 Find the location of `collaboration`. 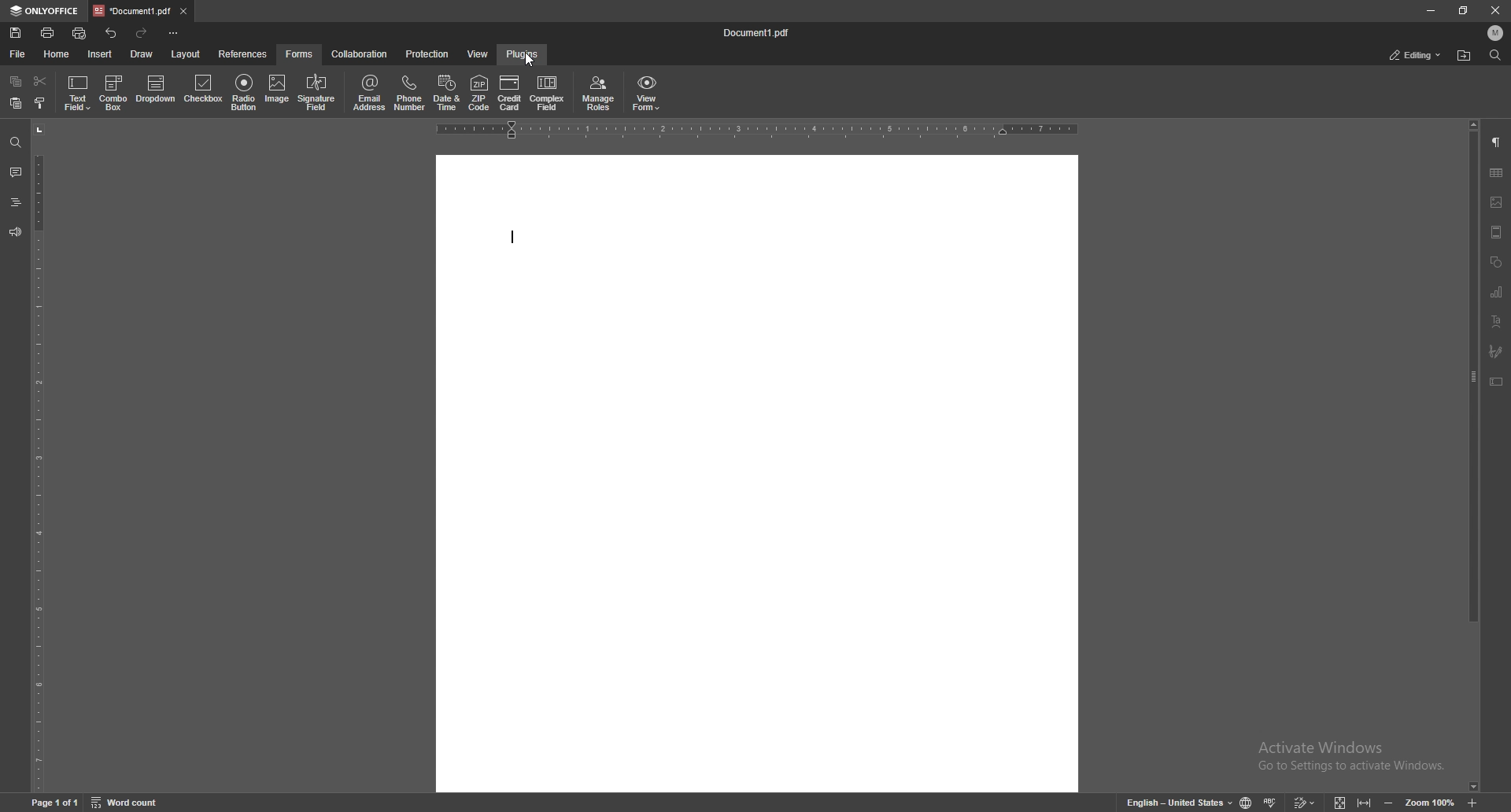

collaboration is located at coordinates (360, 54).